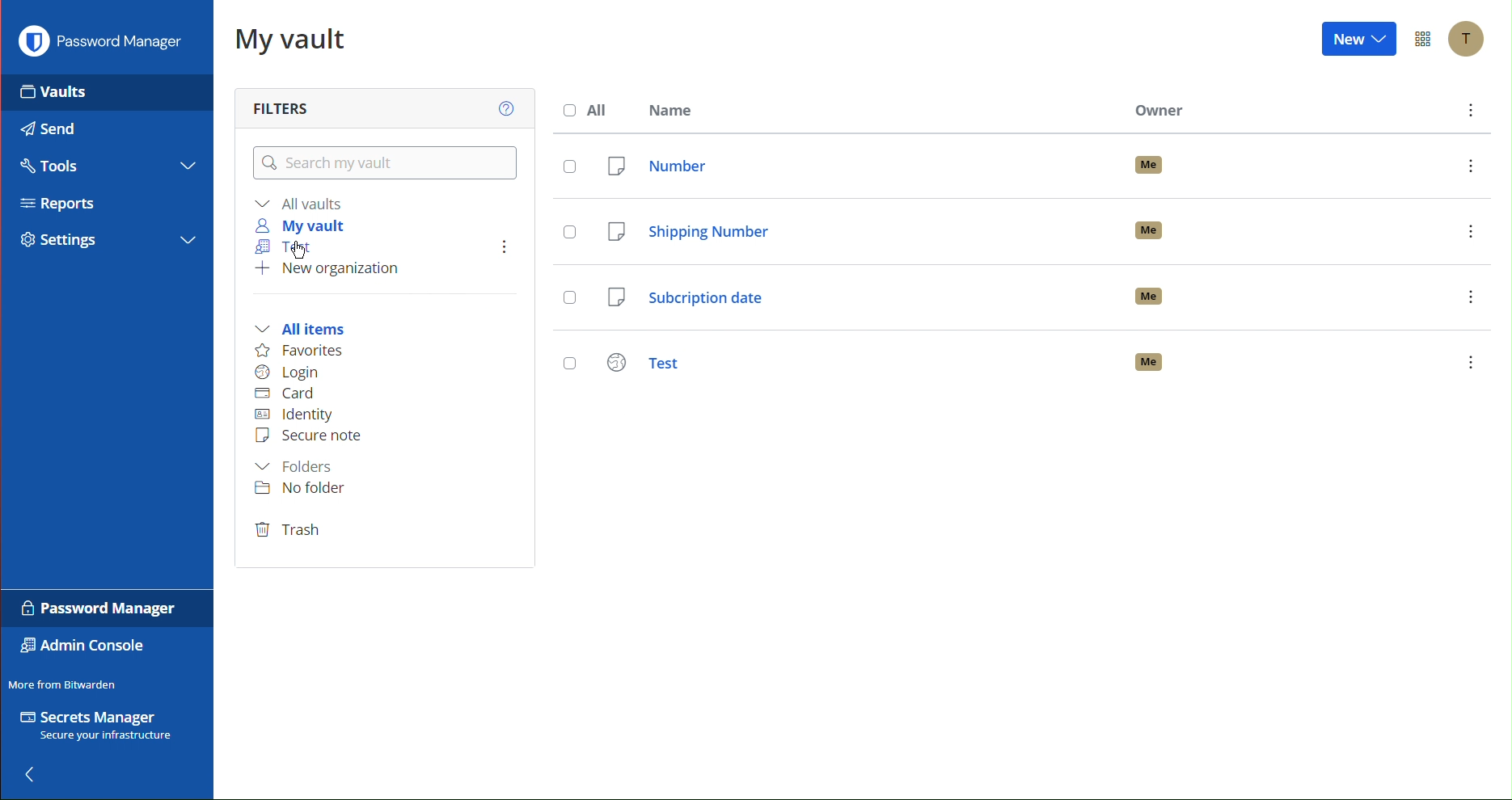  I want to click on Identity, so click(302, 415).